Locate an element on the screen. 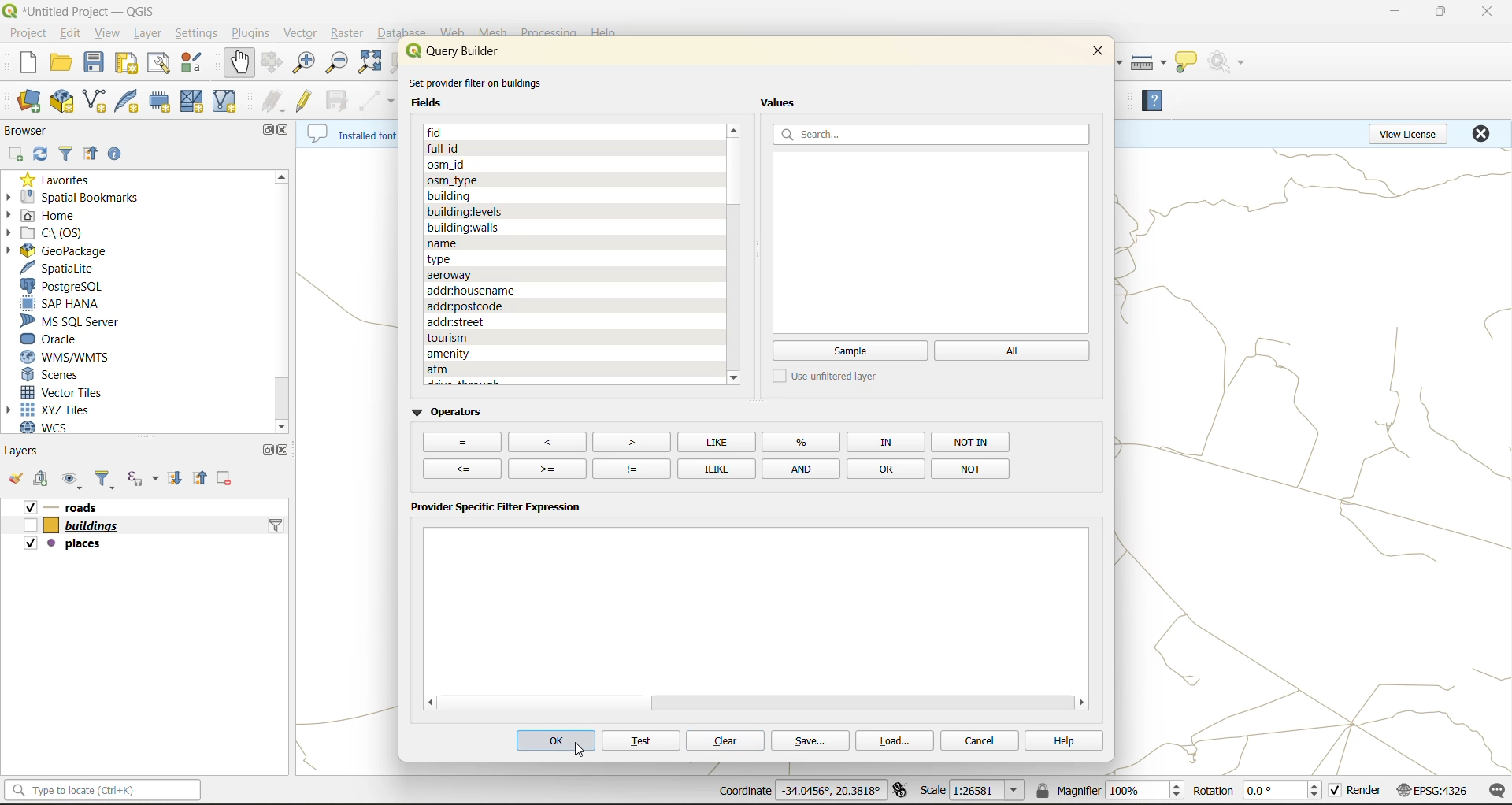 The height and width of the screenshot is (805, 1512). cancel is located at coordinates (981, 740).